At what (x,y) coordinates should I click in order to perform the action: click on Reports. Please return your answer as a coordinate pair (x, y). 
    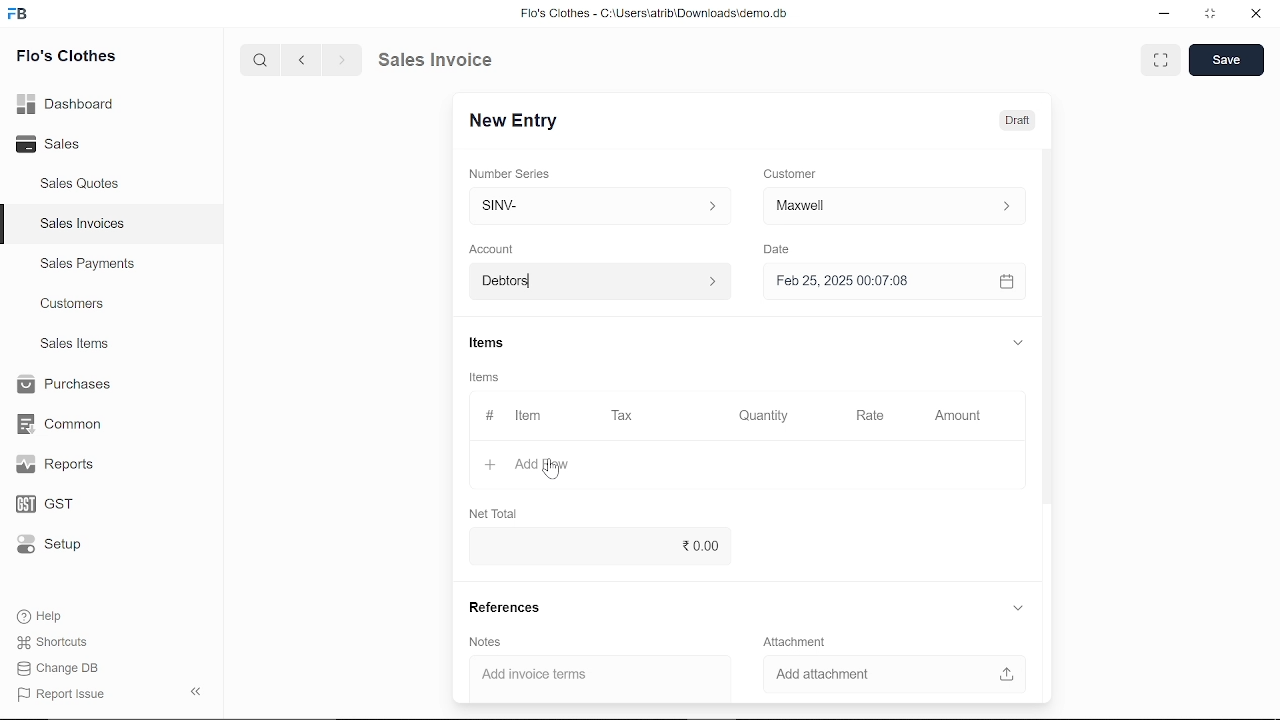
    Looking at the image, I should click on (60, 465).